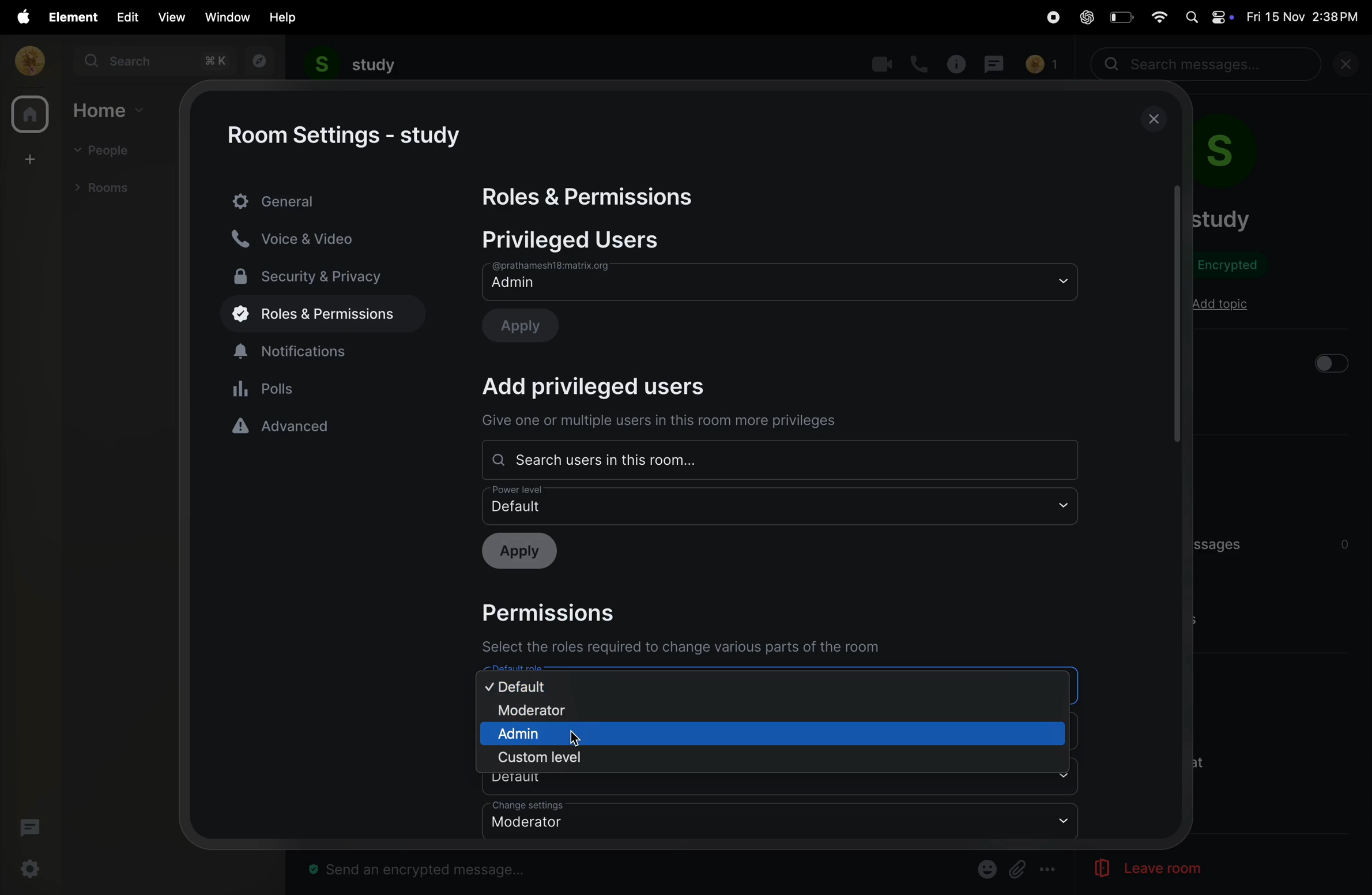 The height and width of the screenshot is (895, 1372). What do you see at coordinates (1018, 869) in the screenshot?
I see `` at bounding box center [1018, 869].